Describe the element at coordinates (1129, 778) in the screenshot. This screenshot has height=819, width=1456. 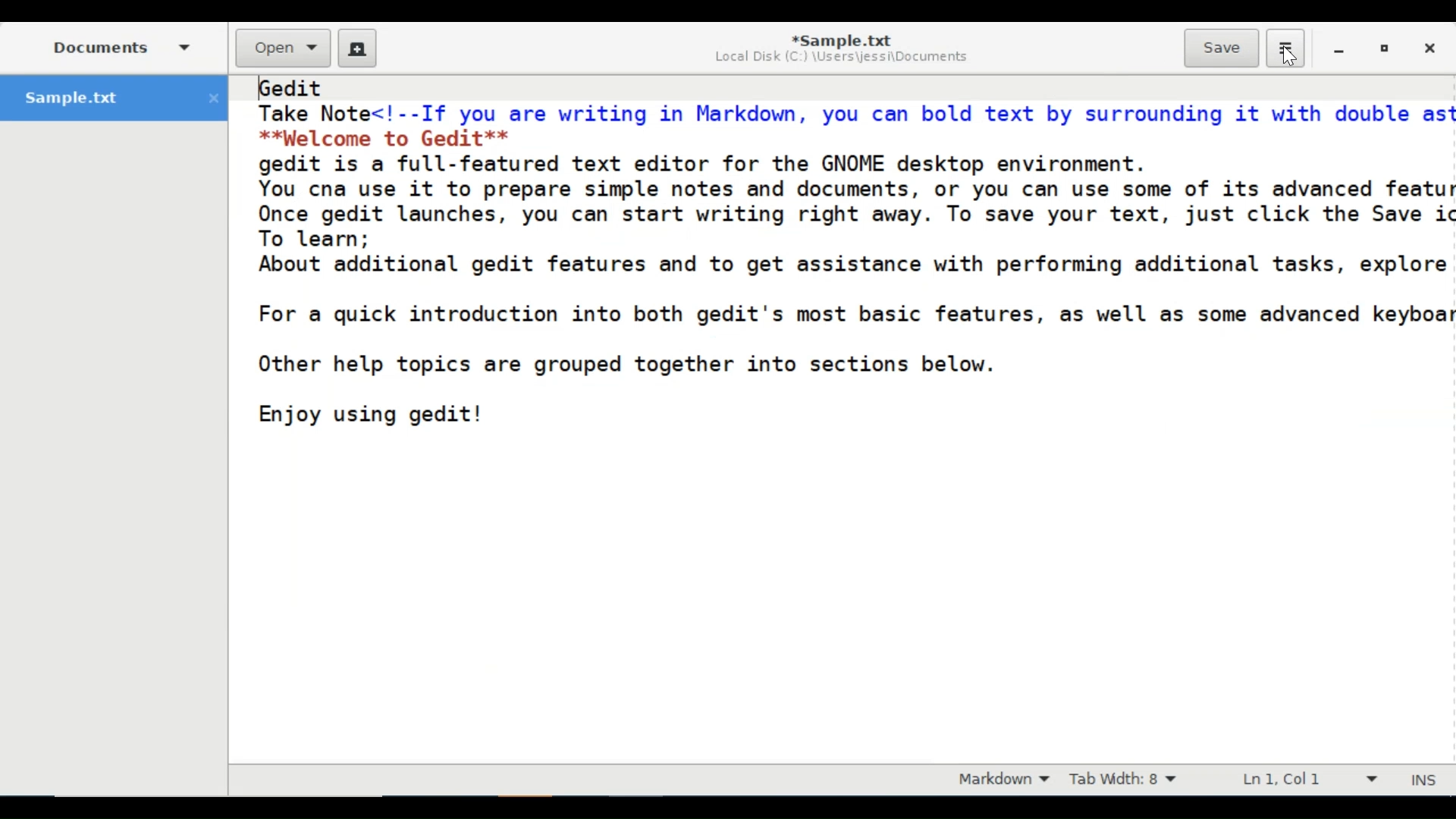
I see `Tab Width` at that location.